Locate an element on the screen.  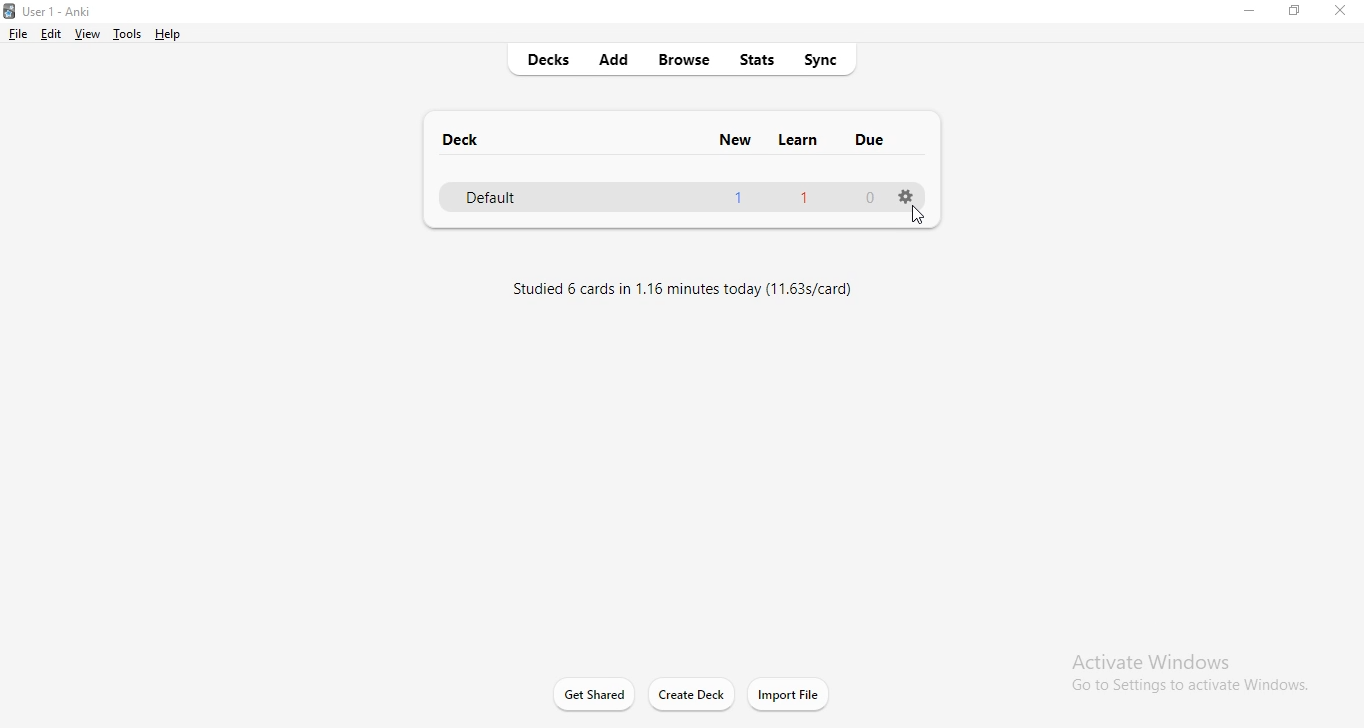
get started is located at coordinates (598, 693).